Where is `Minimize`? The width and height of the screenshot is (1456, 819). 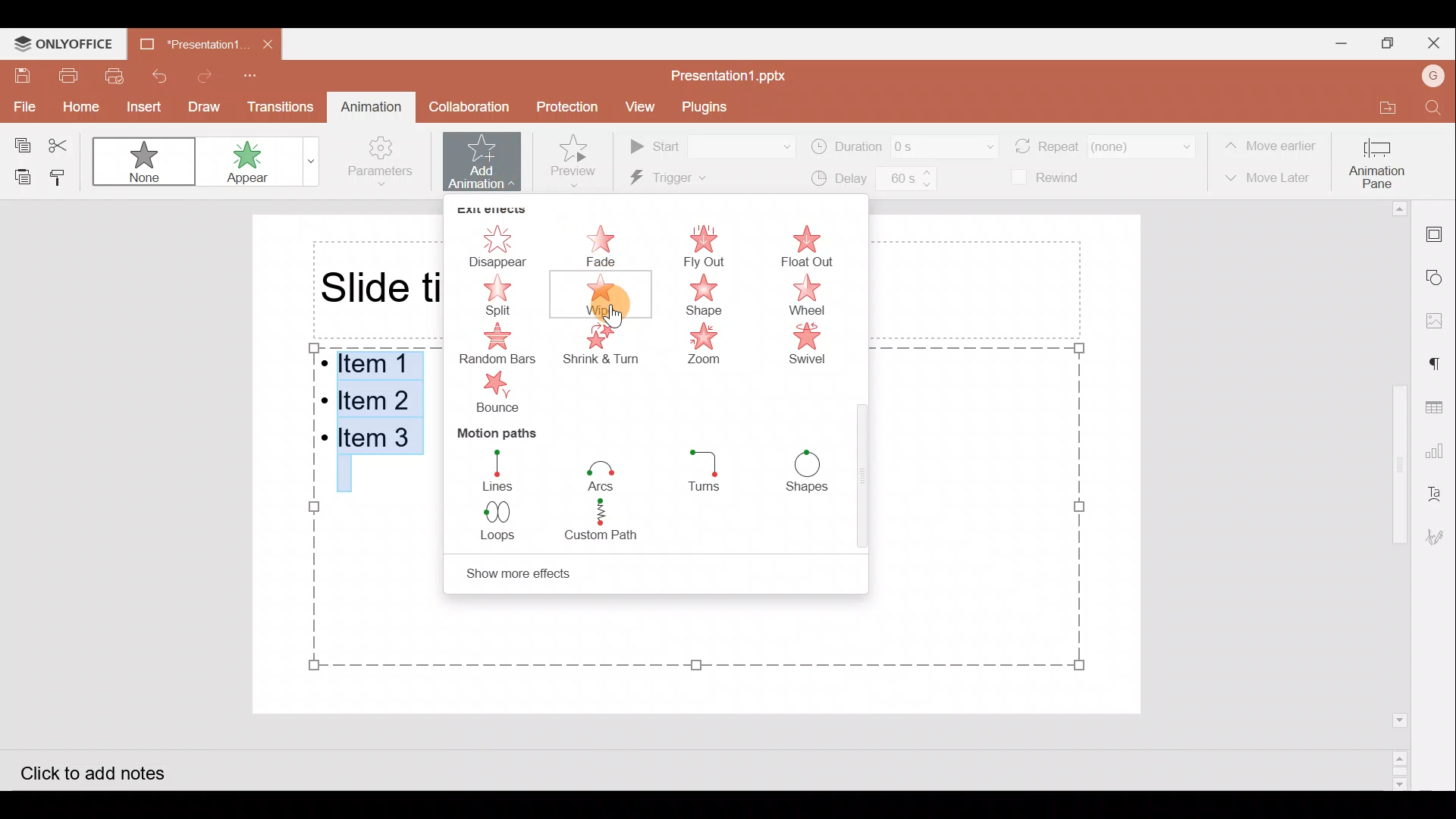
Minimize is located at coordinates (1330, 45).